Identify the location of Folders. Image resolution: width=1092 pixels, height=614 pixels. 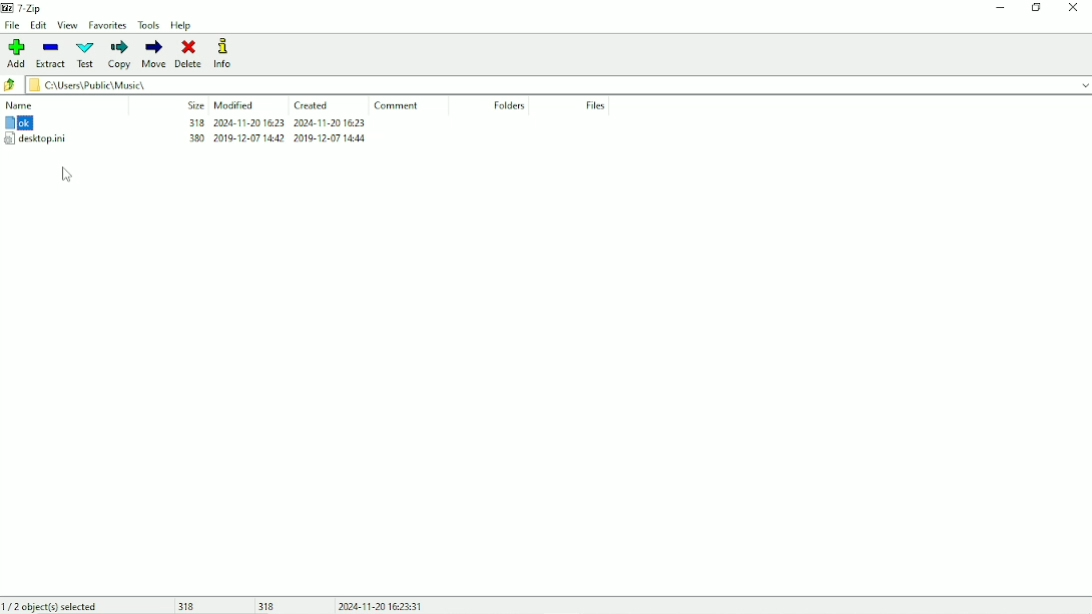
(509, 106).